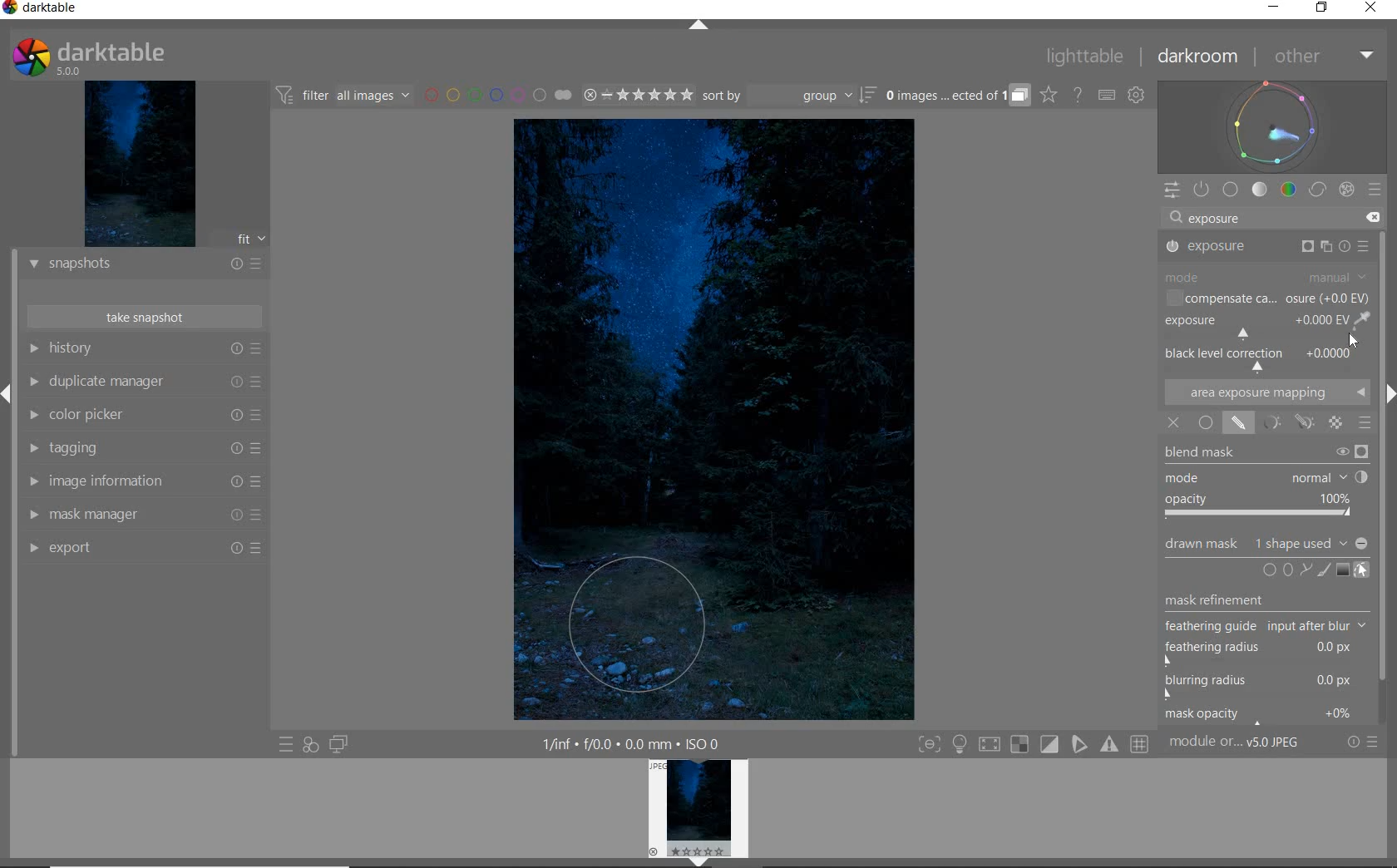  Describe the element at coordinates (1264, 717) in the screenshot. I see `mask opacity` at that location.